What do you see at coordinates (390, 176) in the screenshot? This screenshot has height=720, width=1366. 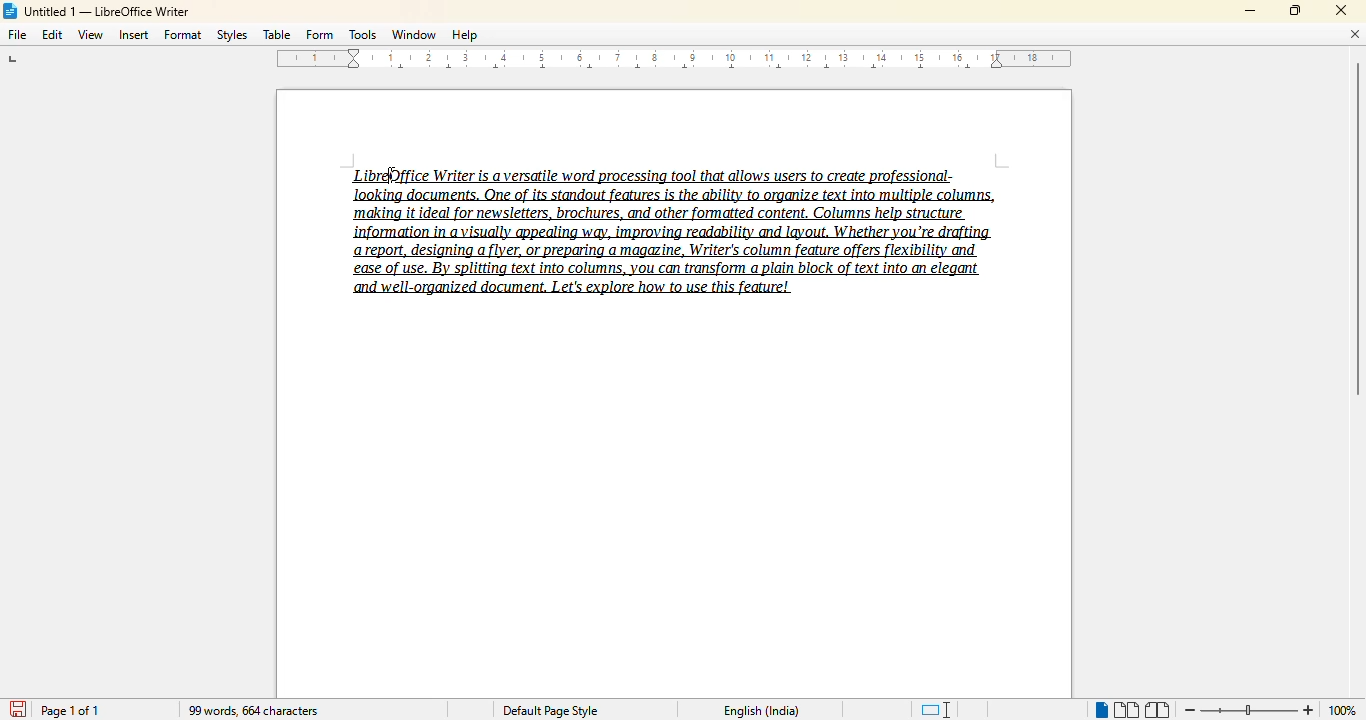 I see `hotkey (Ctrl + A)` at bounding box center [390, 176].